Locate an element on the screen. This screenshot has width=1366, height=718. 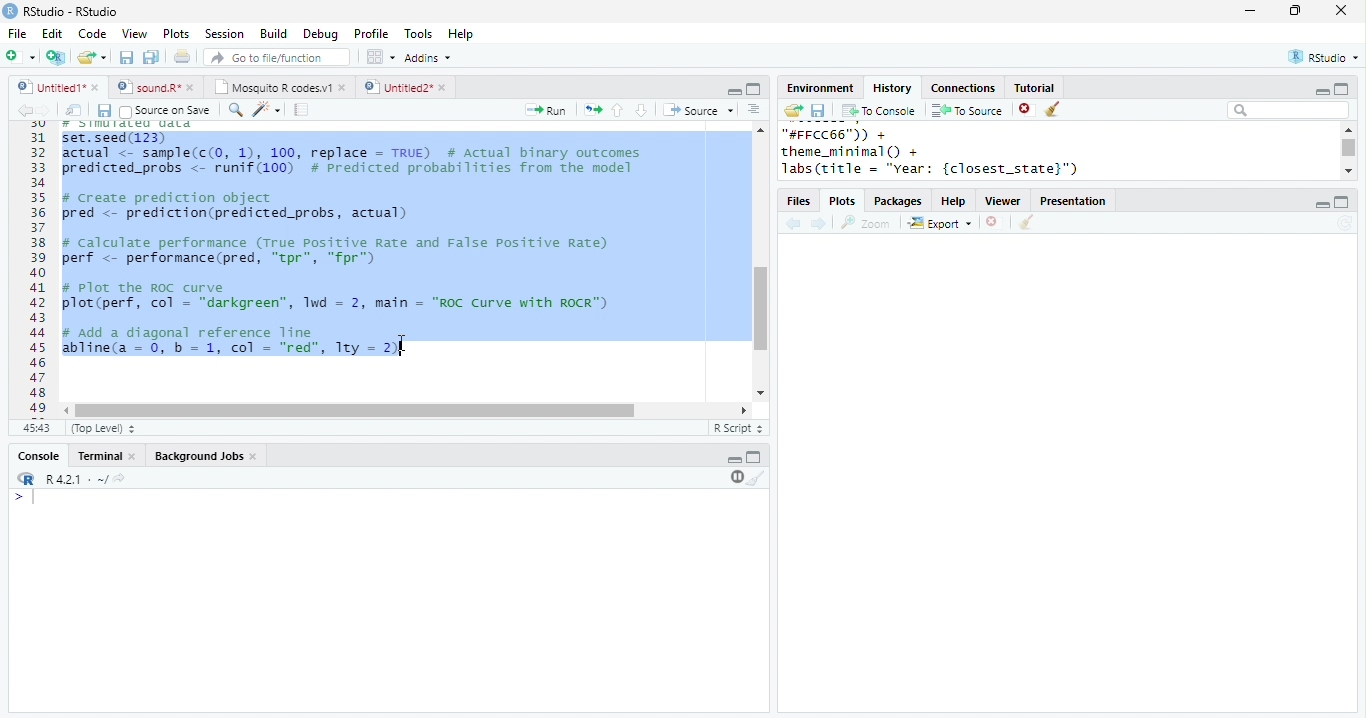
> is located at coordinates (27, 497).